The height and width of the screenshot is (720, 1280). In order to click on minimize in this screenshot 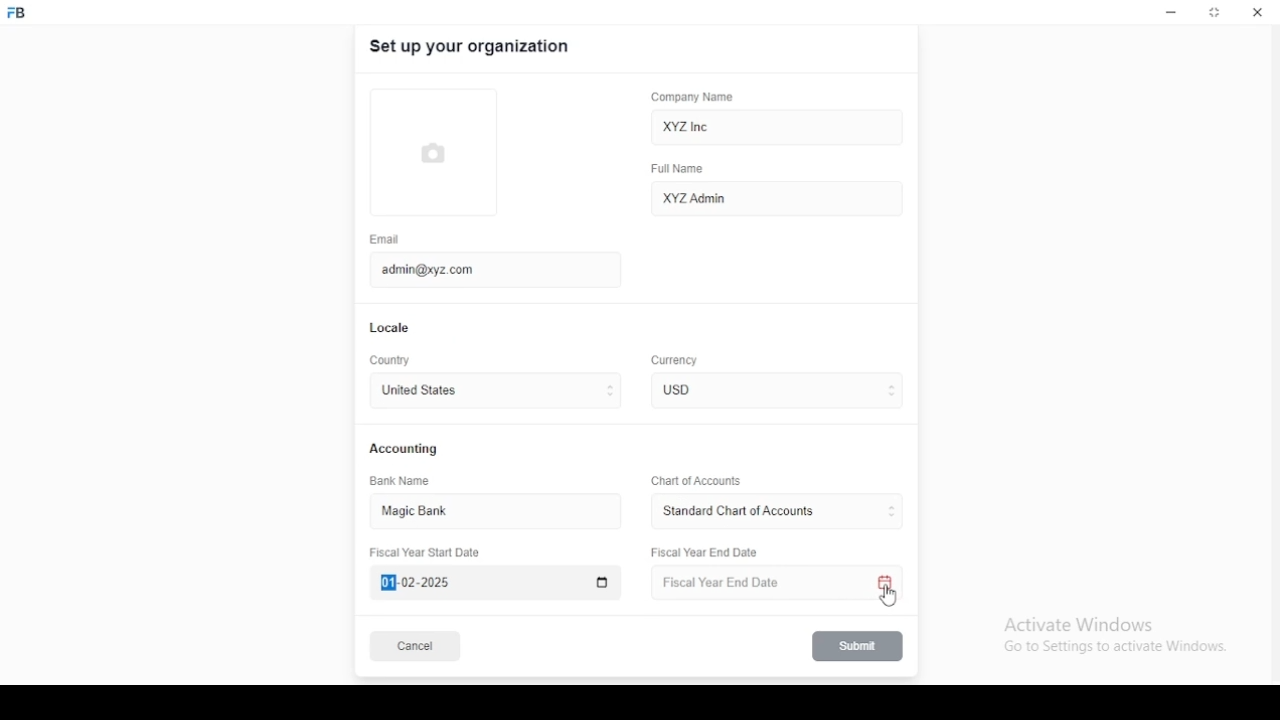, I will do `click(1171, 13)`.